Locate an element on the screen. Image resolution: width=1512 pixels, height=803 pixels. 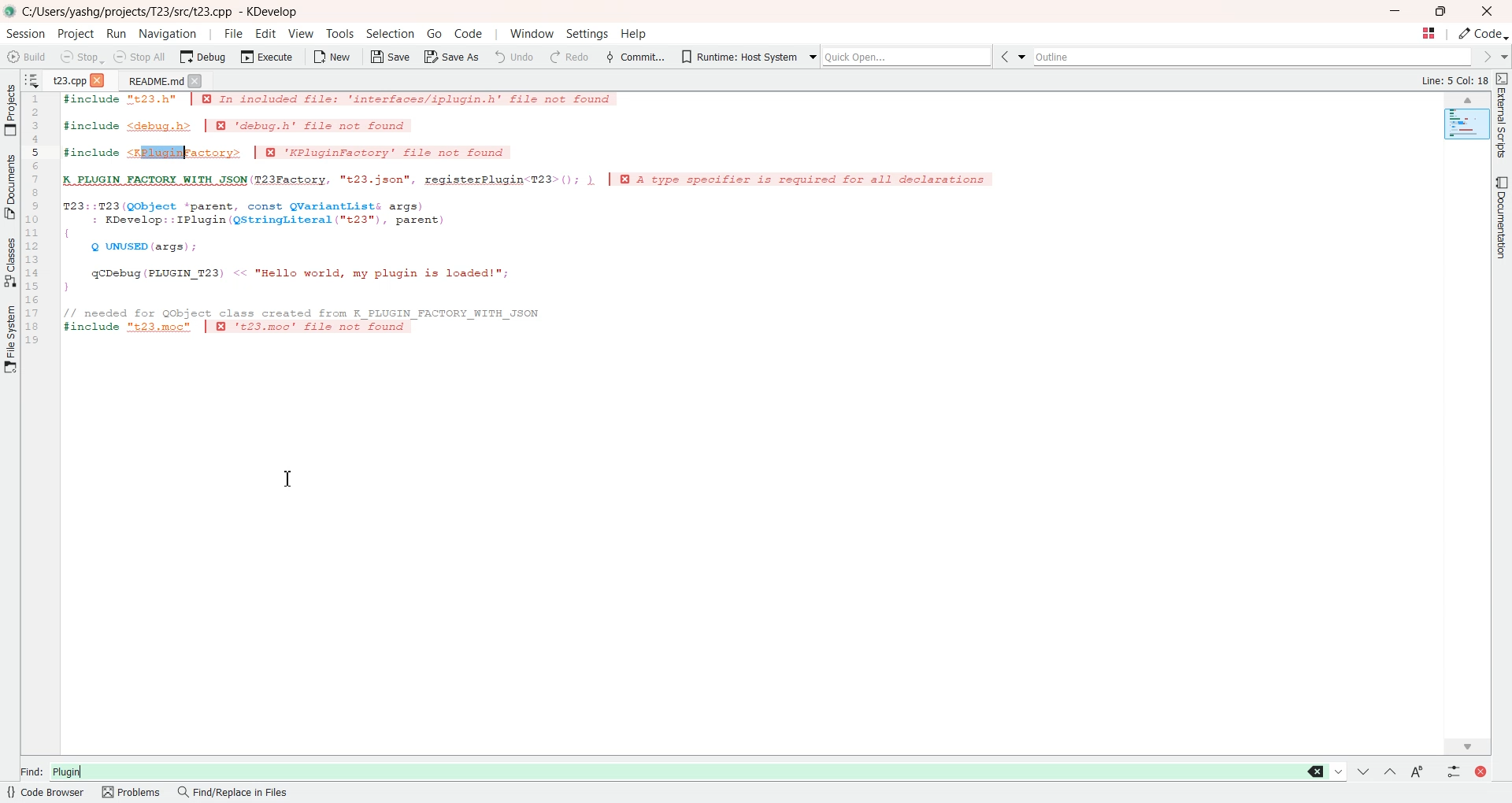
Erase text is located at coordinates (1317, 772).